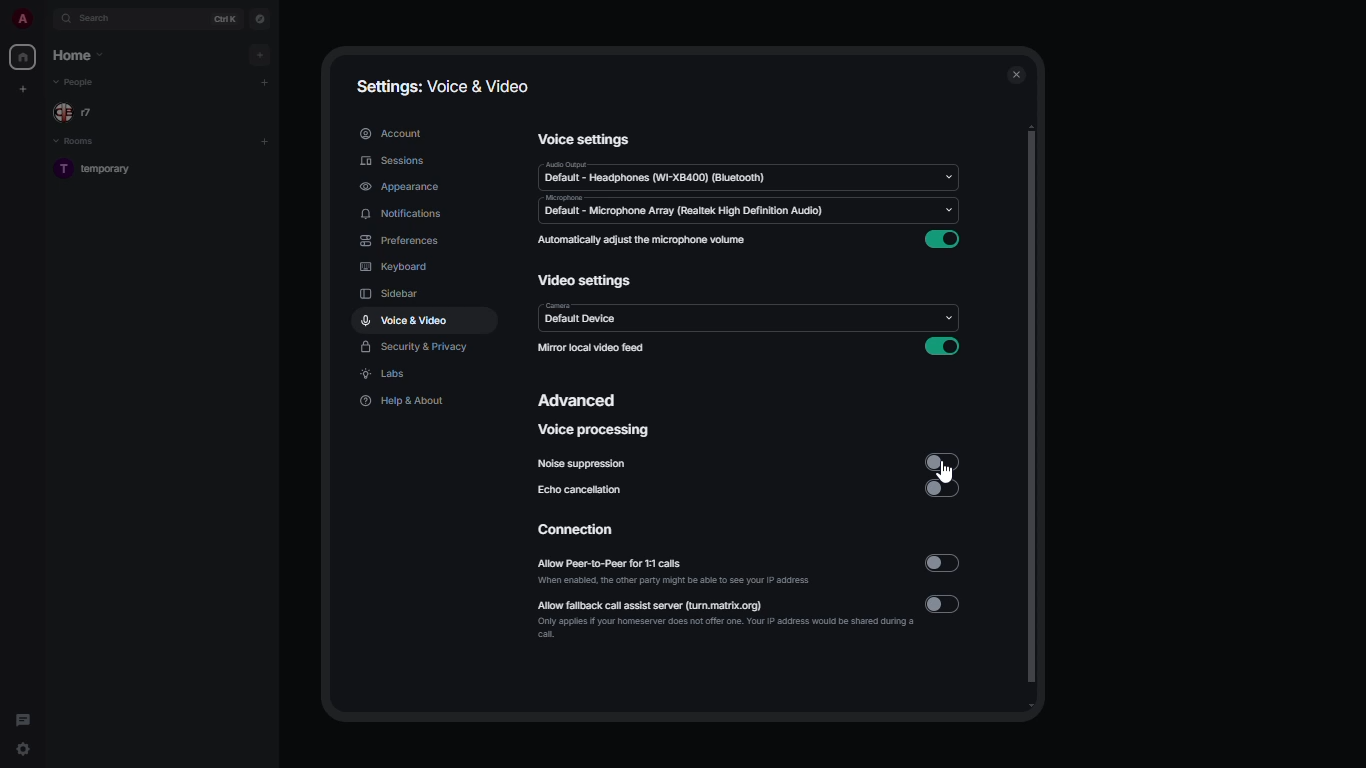 The image size is (1366, 768). What do you see at coordinates (659, 174) in the screenshot?
I see `audio default` at bounding box center [659, 174].